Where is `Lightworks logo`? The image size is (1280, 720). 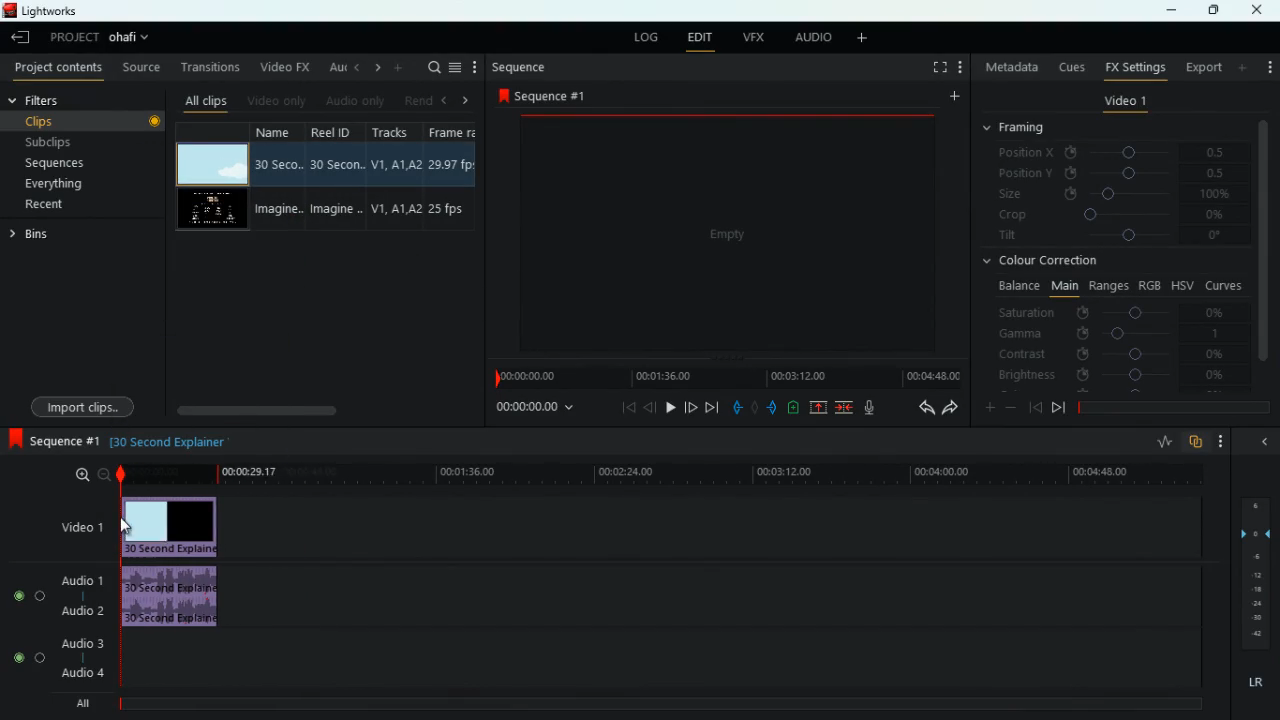
Lightworks logo is located at coordinates (9, 10).